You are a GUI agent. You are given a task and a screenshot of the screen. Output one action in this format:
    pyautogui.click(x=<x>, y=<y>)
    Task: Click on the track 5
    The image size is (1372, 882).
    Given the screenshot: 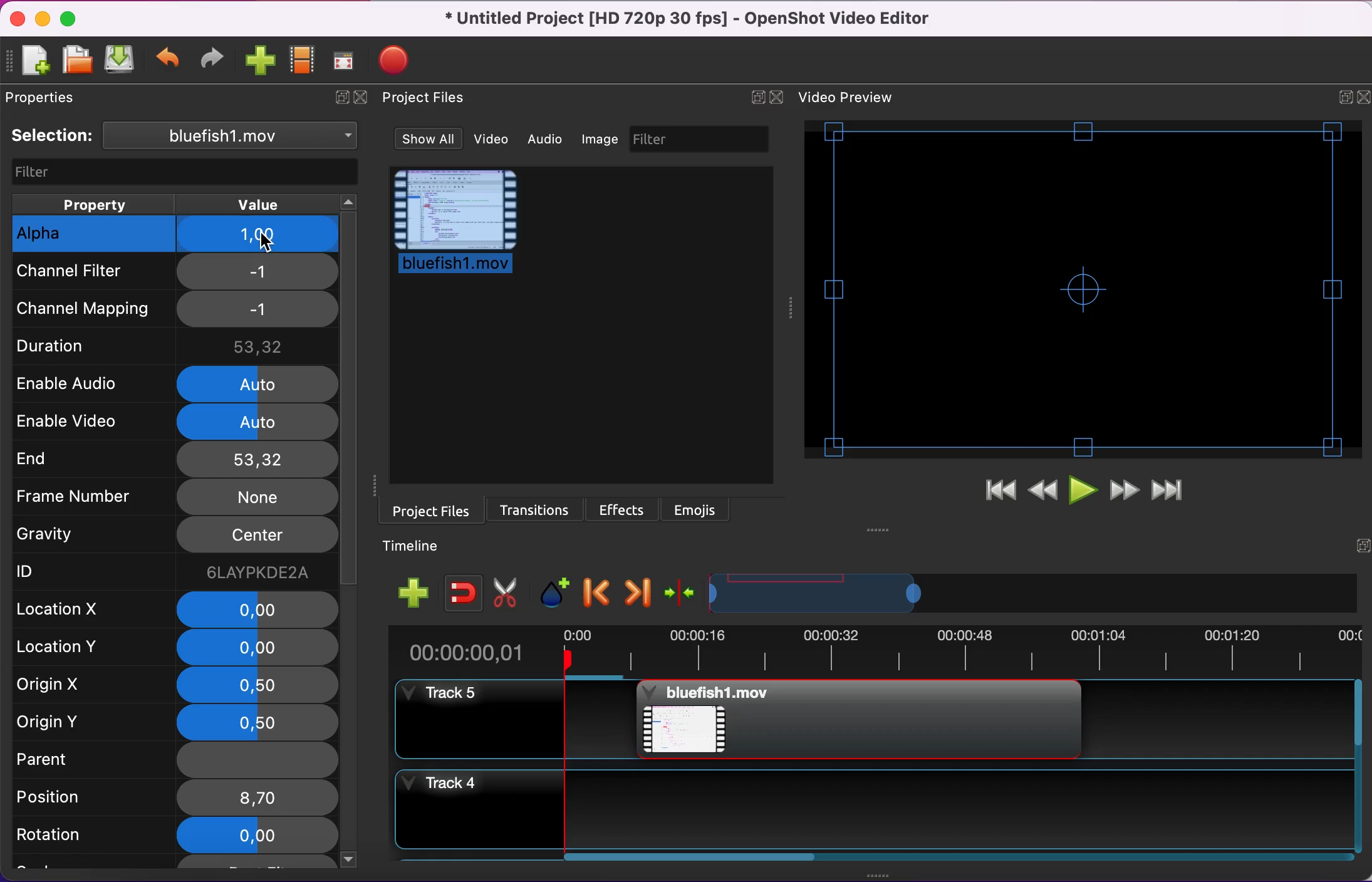 What is the action you would take?
    pyautogui.click(x=510, y=720)
    